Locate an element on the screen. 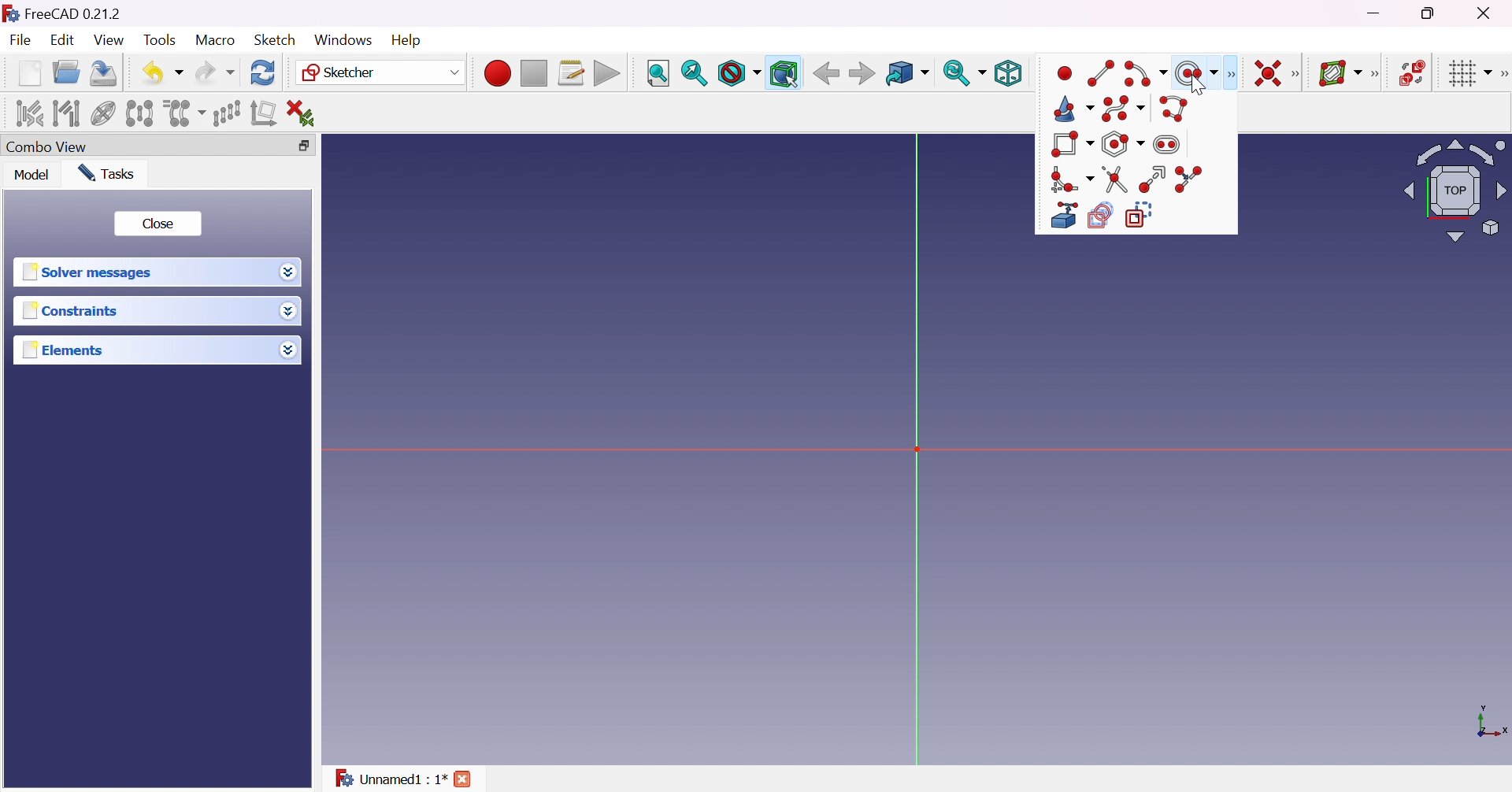 Image resolution: width=1512 pixels, height=792 pixels. Constrain coincident is located at coordinates (1266, 73).